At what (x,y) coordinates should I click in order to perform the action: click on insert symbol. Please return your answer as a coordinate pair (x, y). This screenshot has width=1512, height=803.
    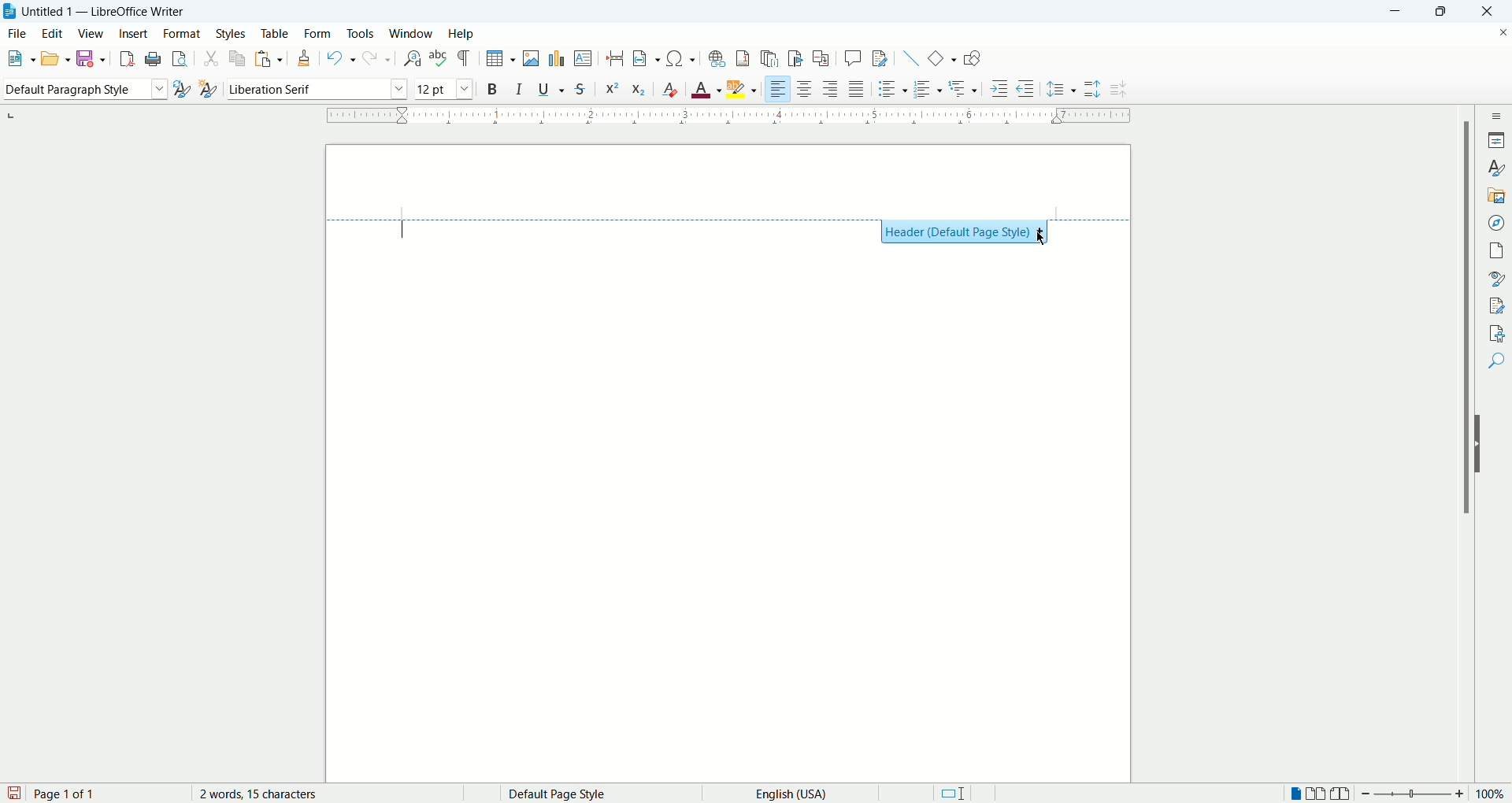
    Looking at the image, I should click on (680, 57).